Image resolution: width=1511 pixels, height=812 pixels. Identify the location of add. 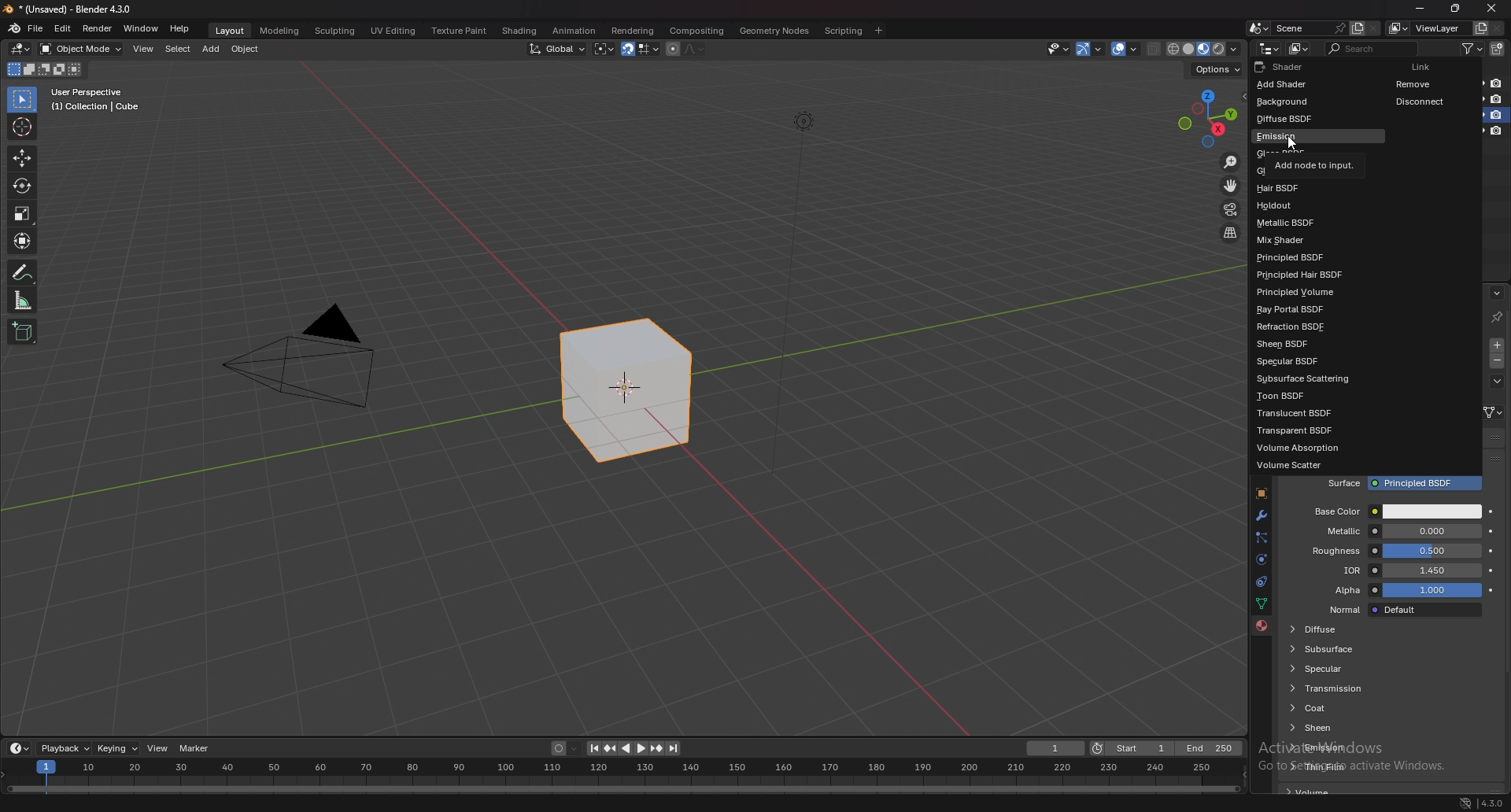
(212, 49).